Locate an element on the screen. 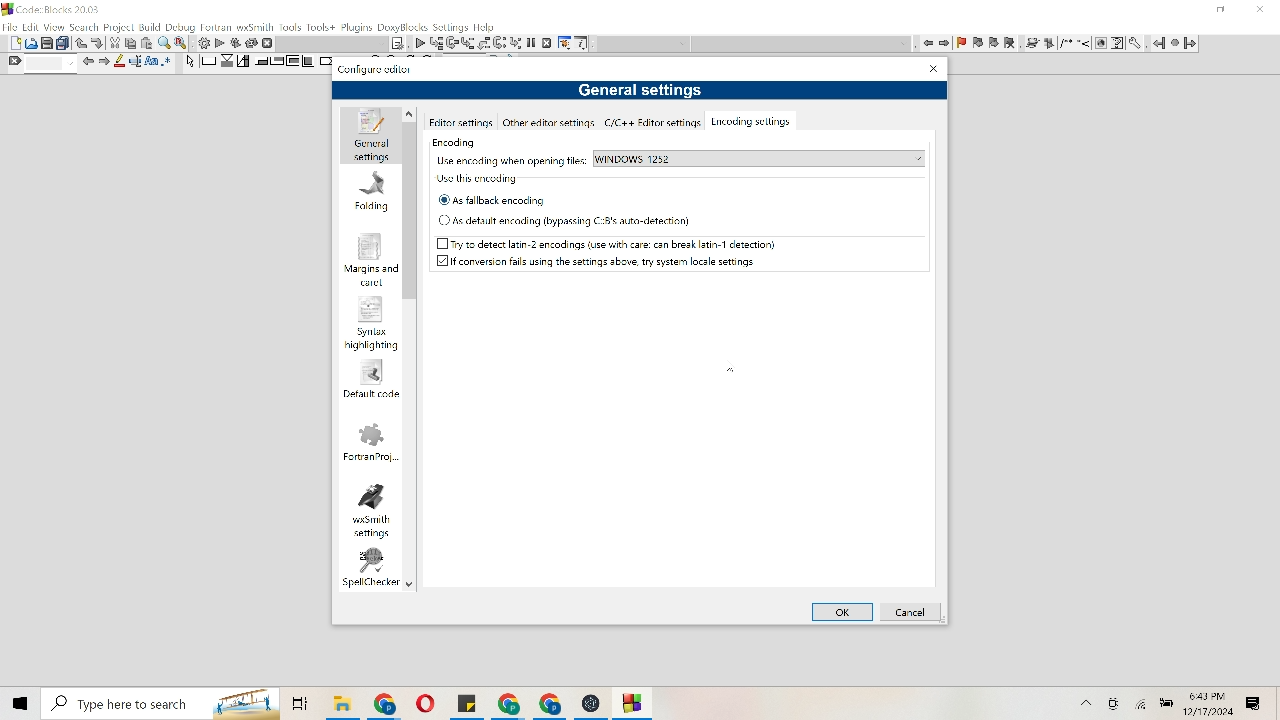 The height and width of the screenshot is (720, 1280). Picture is located at coordinates (31, 42).